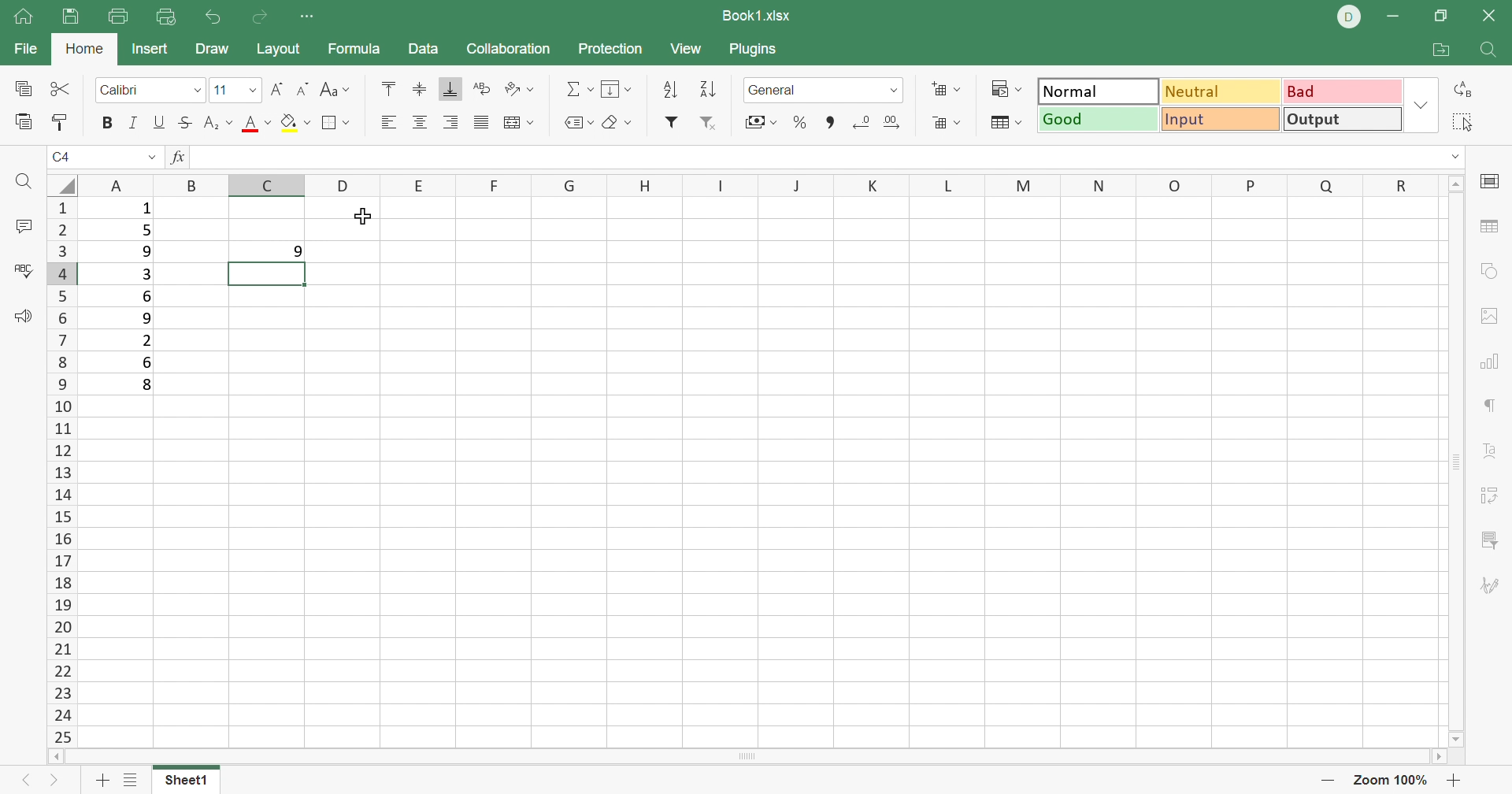  Describe the element at coordinates (480, 87) in the screenshot. I see `Wrap Text` at that location.